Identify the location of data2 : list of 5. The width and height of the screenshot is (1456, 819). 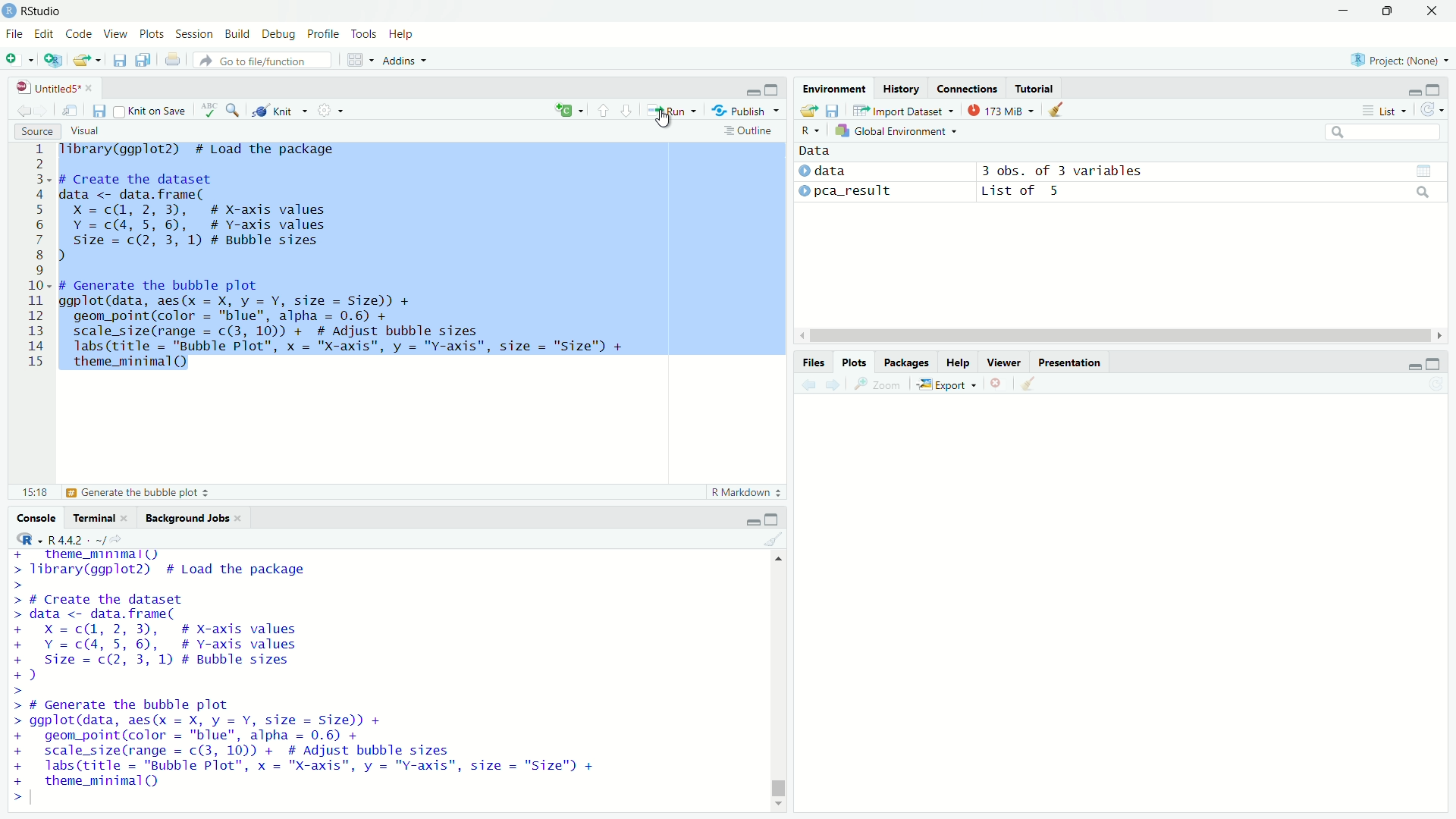
(1210, 193).